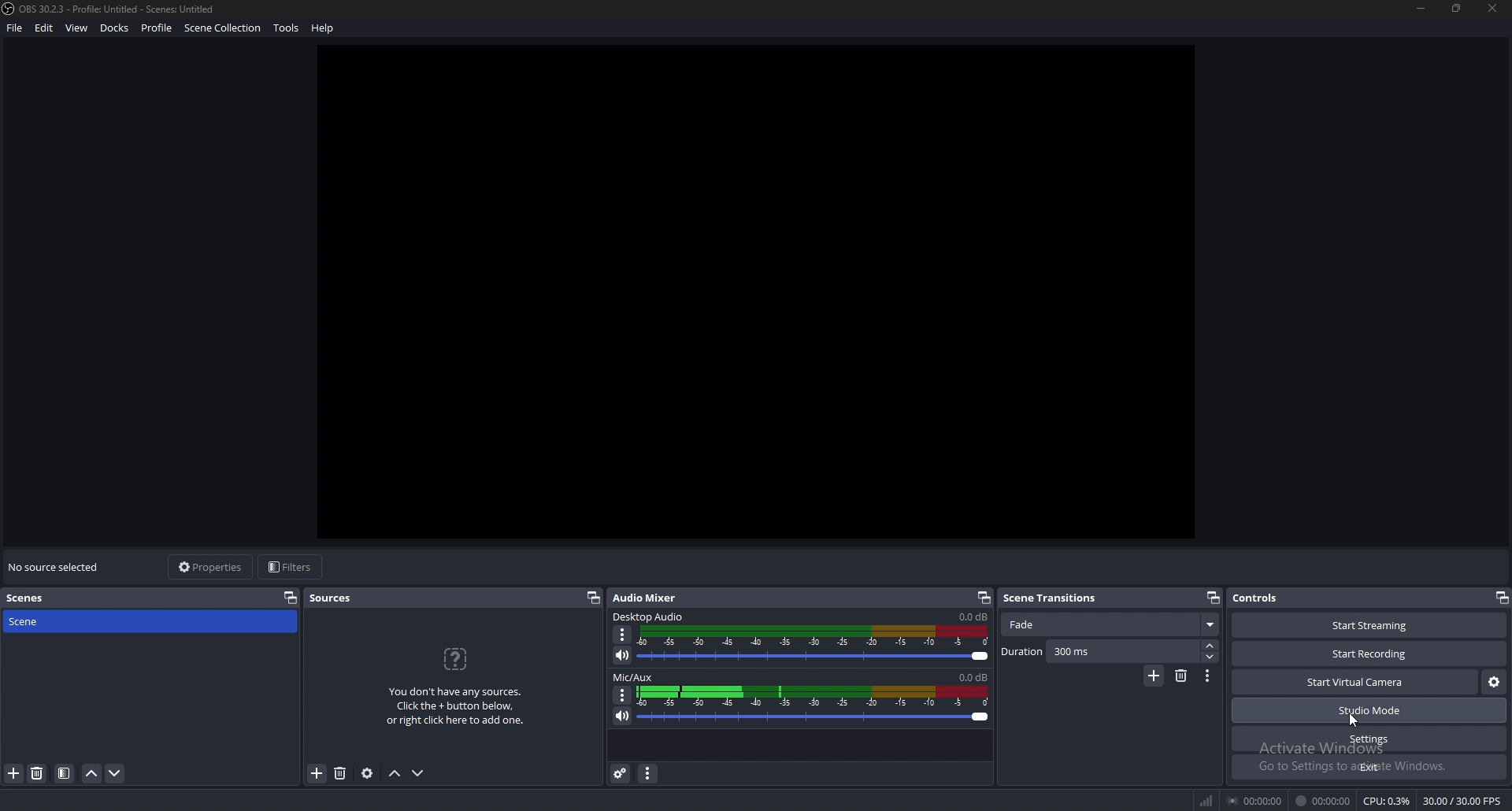 The height and width of the screenshot is (811, 1512). I want to click on Options, so click(624, 635).